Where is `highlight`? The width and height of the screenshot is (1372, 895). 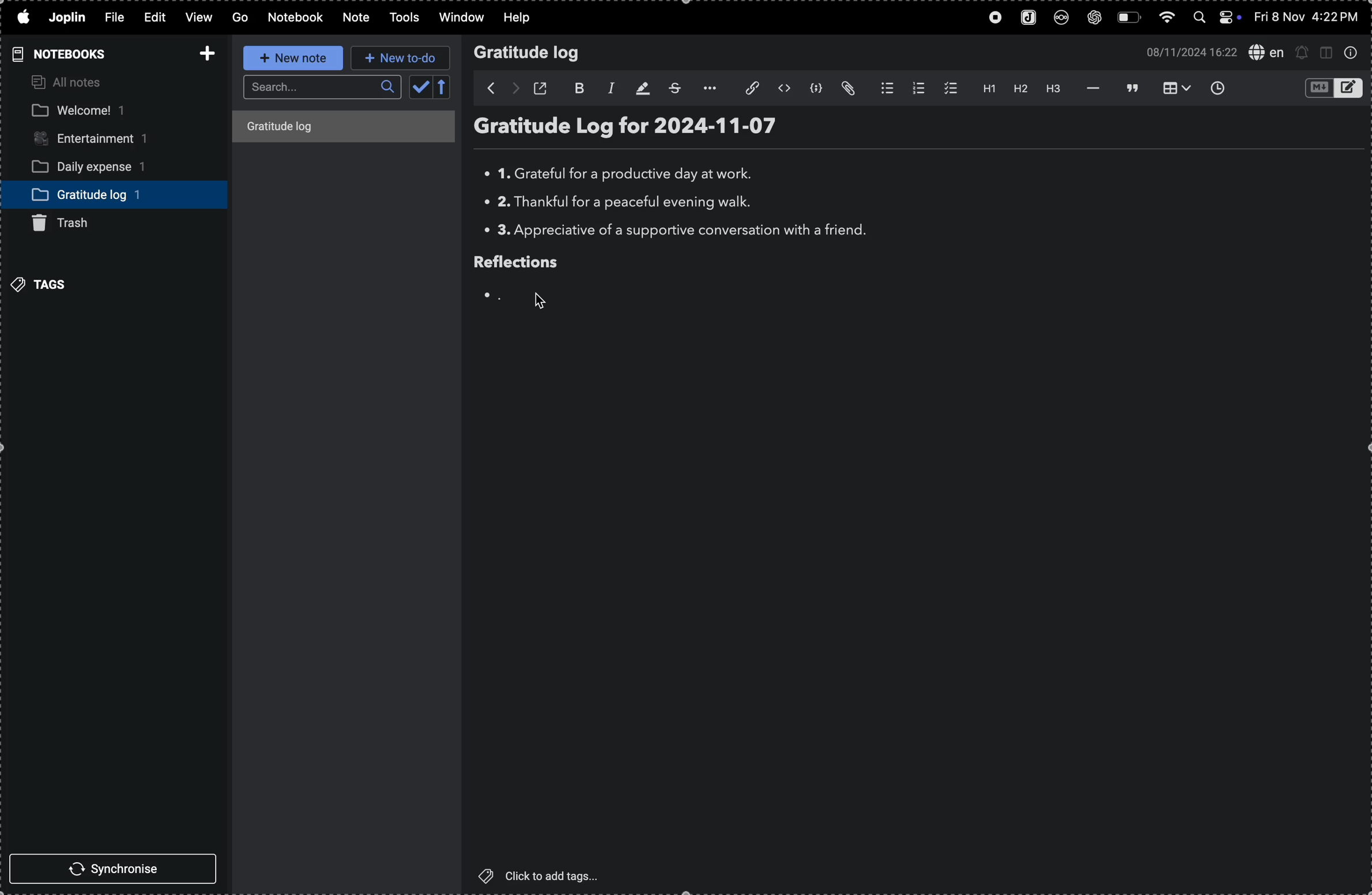 highlight is located at coordinates (640, 88).